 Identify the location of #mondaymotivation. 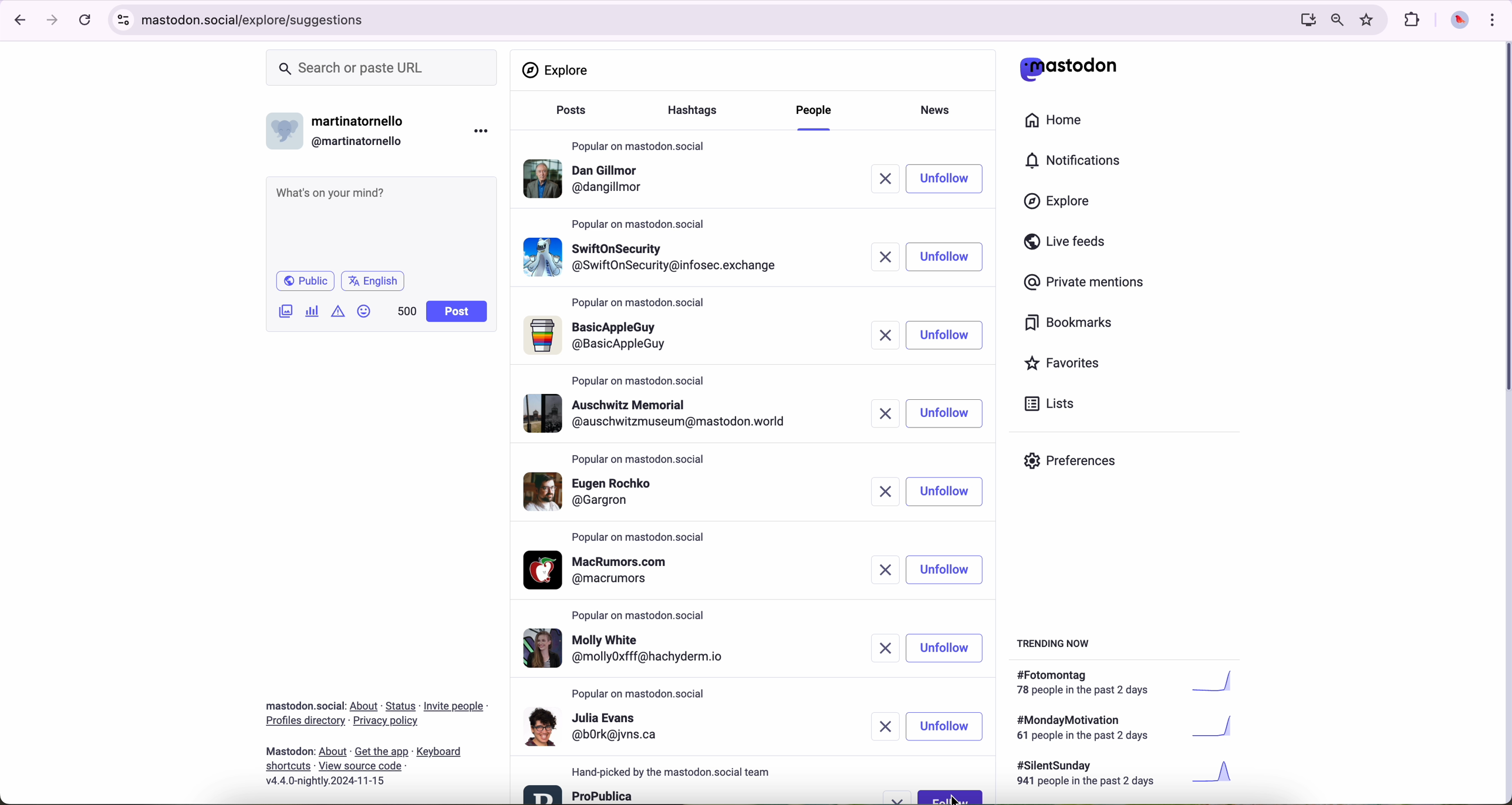
(1123, 727).